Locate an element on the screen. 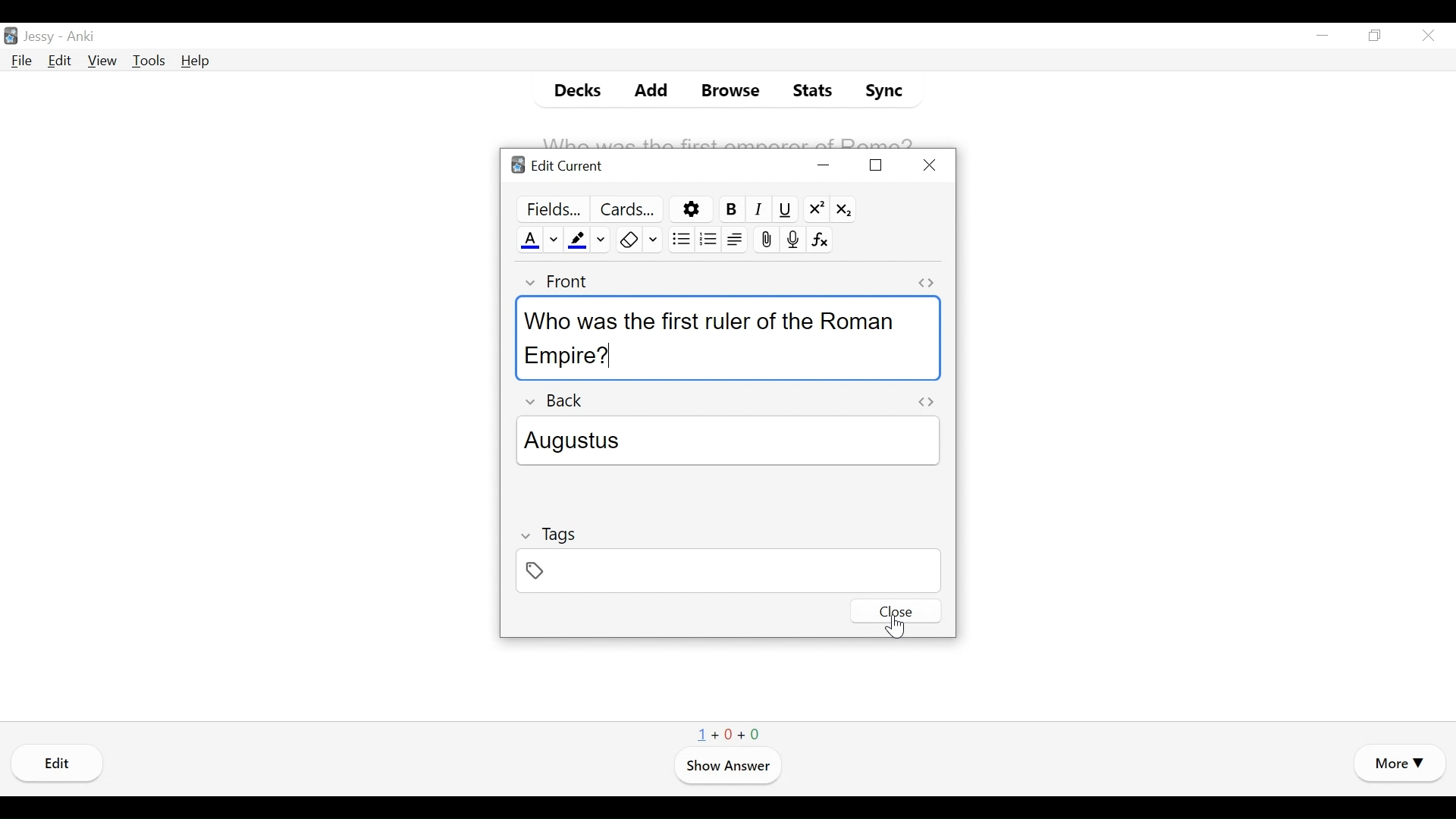 This screenshot has height=819, width=1456. Anki is located at coordinates (83, 38).